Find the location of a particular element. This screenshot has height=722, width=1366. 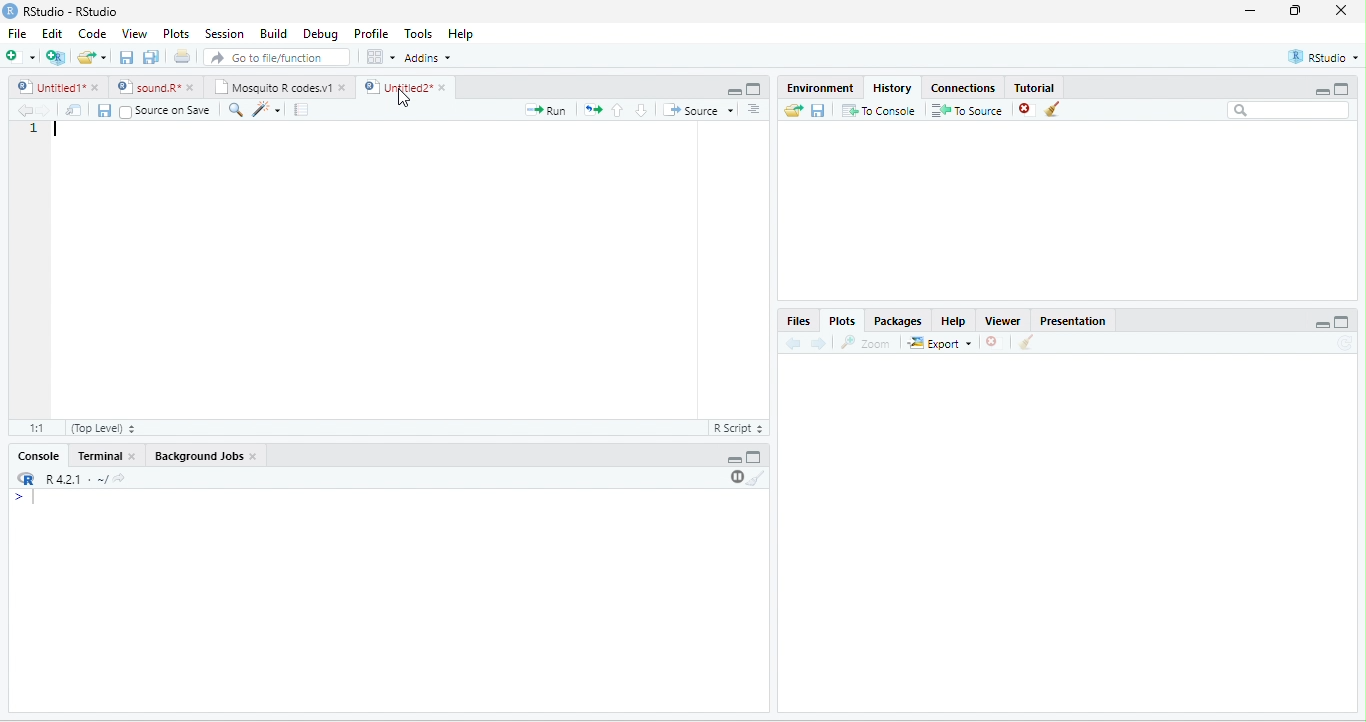

compile report is located at coordinates (301, 109).